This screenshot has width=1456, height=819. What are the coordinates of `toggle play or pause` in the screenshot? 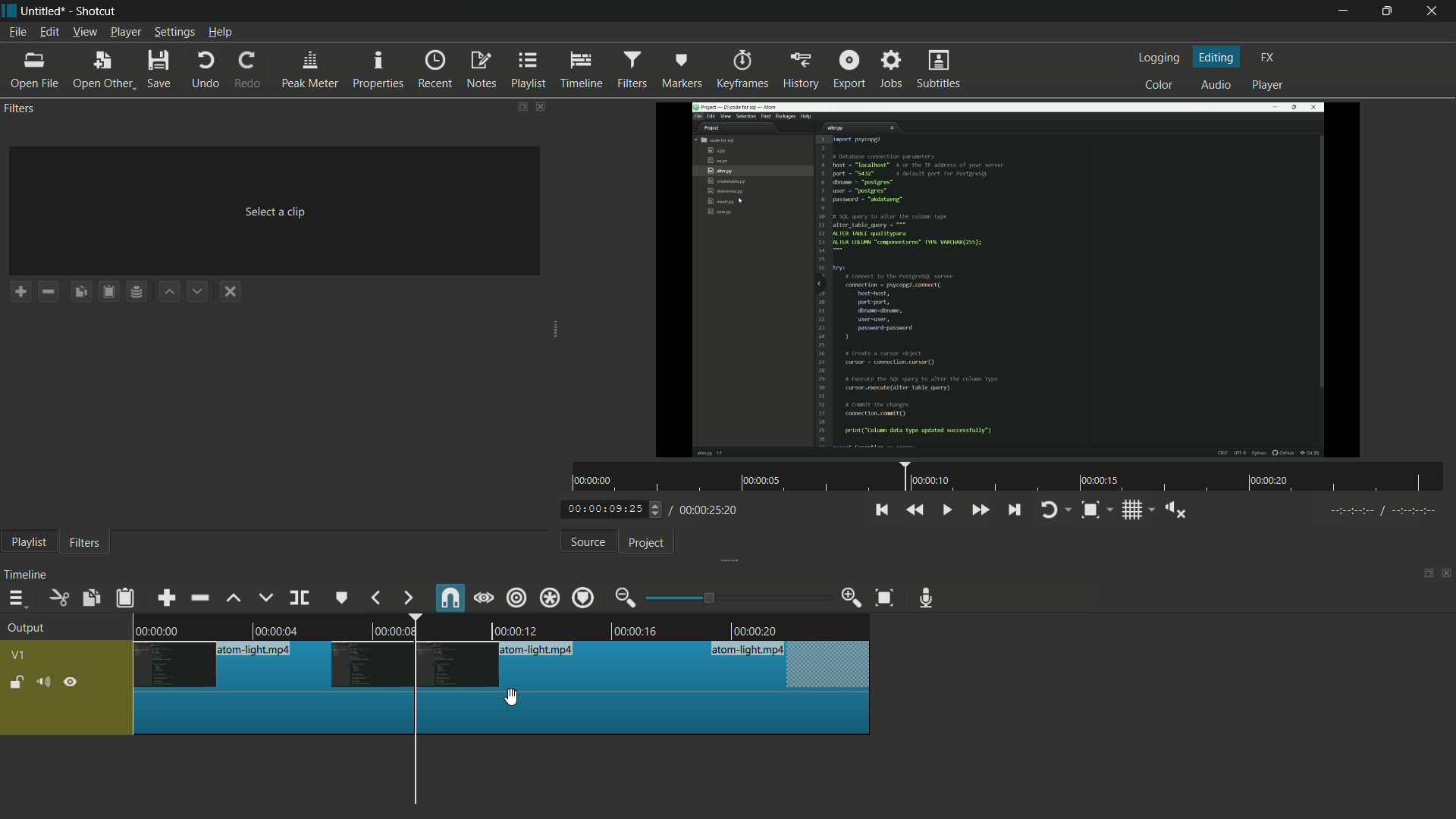 It's located at (945, 508).